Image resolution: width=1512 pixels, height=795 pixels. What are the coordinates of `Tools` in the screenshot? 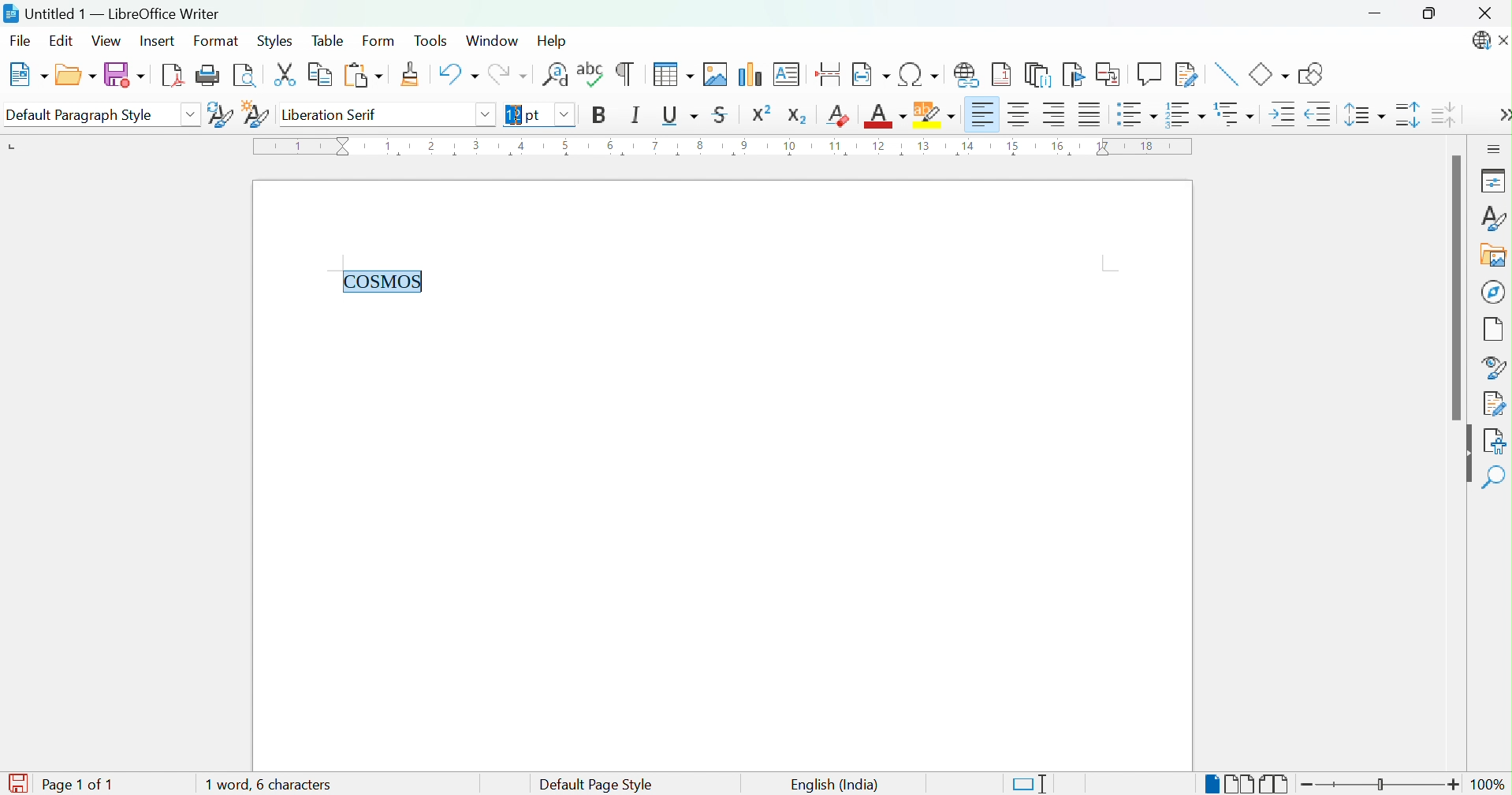 It's located at (433, 39).